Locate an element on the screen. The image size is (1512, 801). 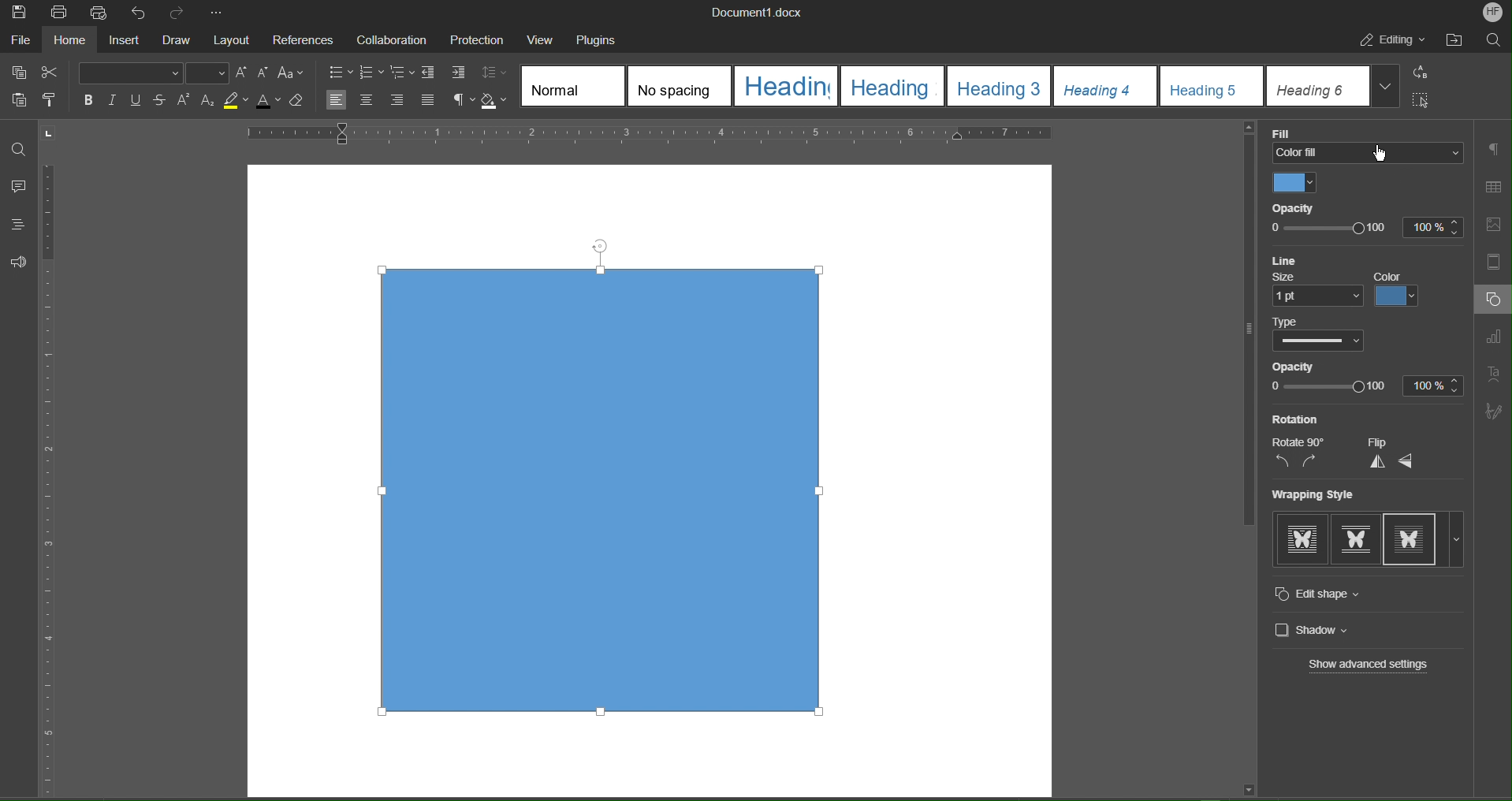
Opacity slide bar is located at coordinates (1323, 230).